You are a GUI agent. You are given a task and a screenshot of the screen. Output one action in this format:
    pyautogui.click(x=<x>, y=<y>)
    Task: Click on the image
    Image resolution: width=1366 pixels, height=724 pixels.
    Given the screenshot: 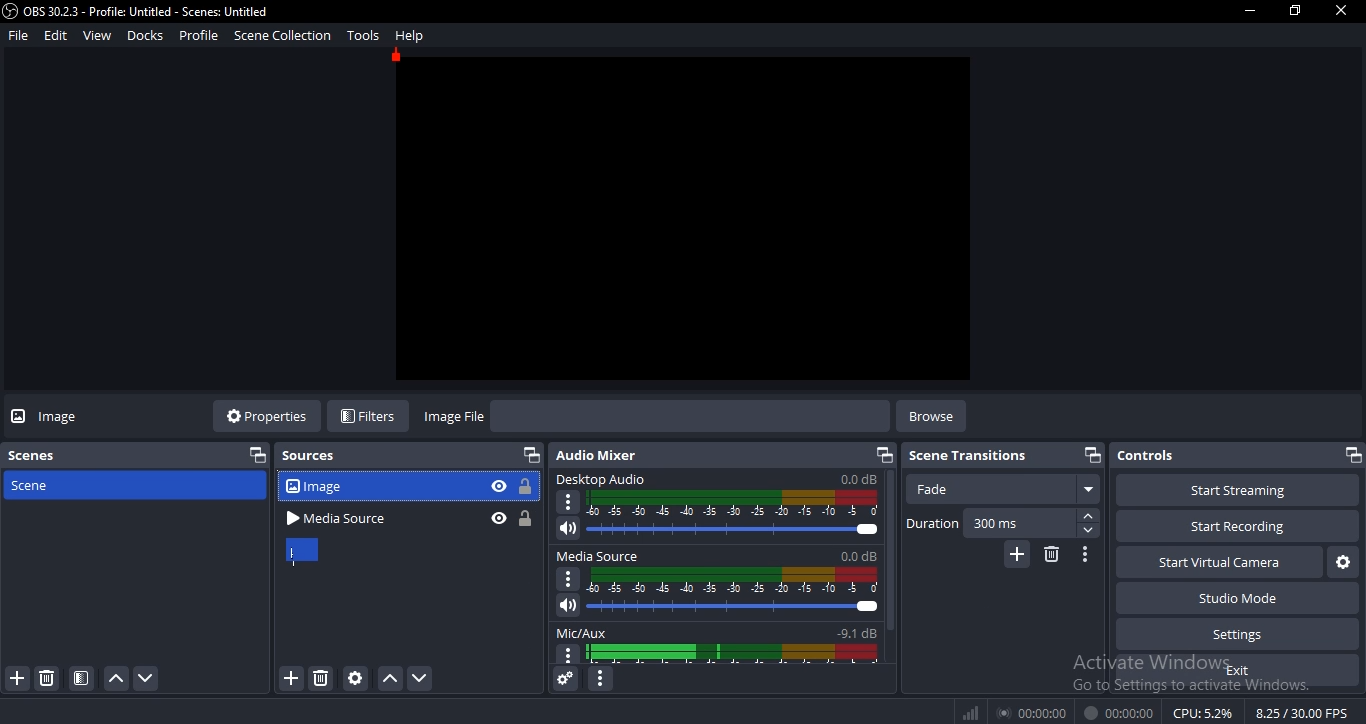 What is the action you would take?
    pyautogui.click(x=684, y=218)
    